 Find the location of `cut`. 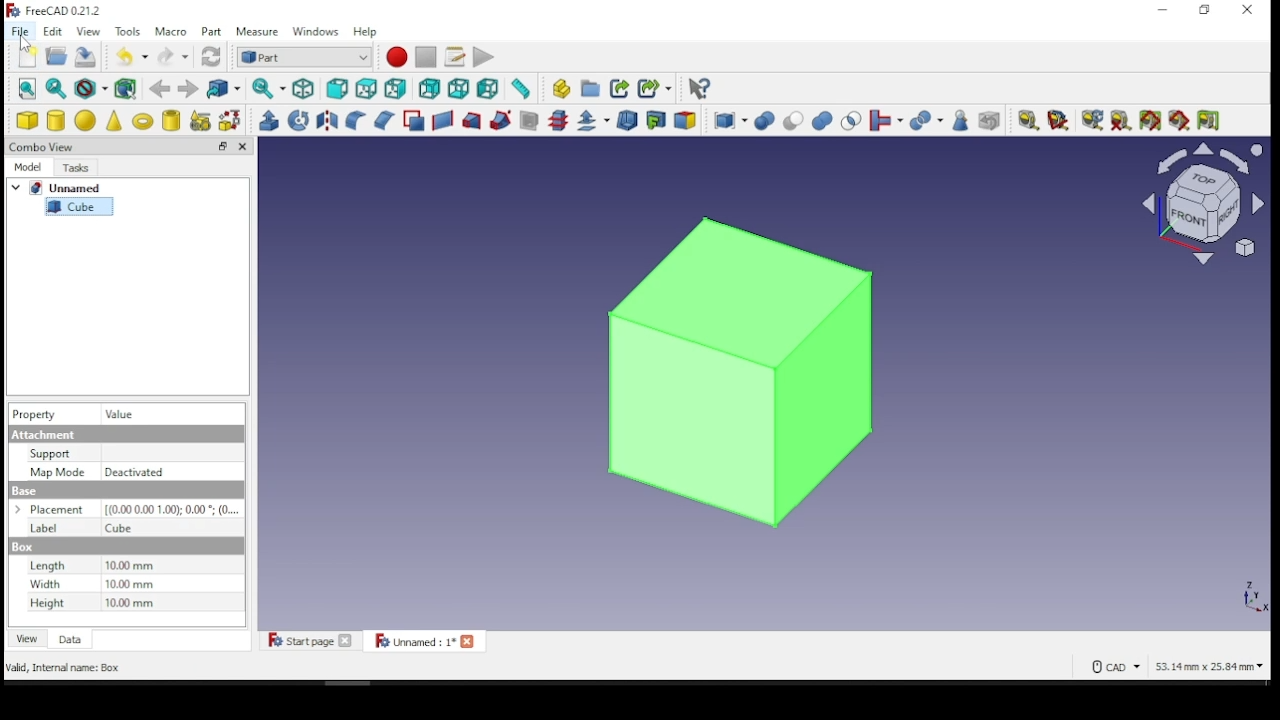

cut is located at coordinates (794, 120).